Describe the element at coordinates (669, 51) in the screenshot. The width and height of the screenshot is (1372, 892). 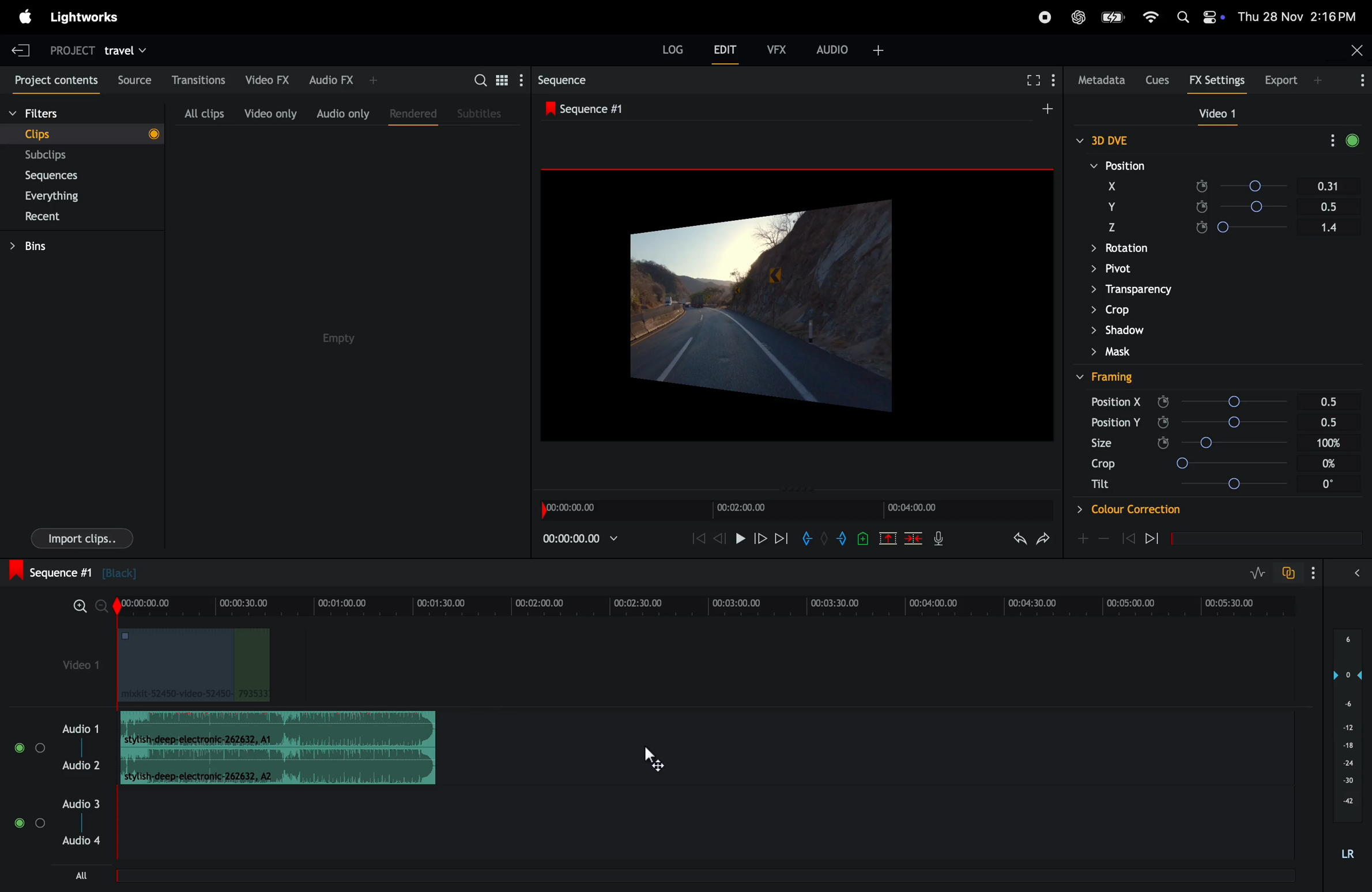
I see `log` at that location.